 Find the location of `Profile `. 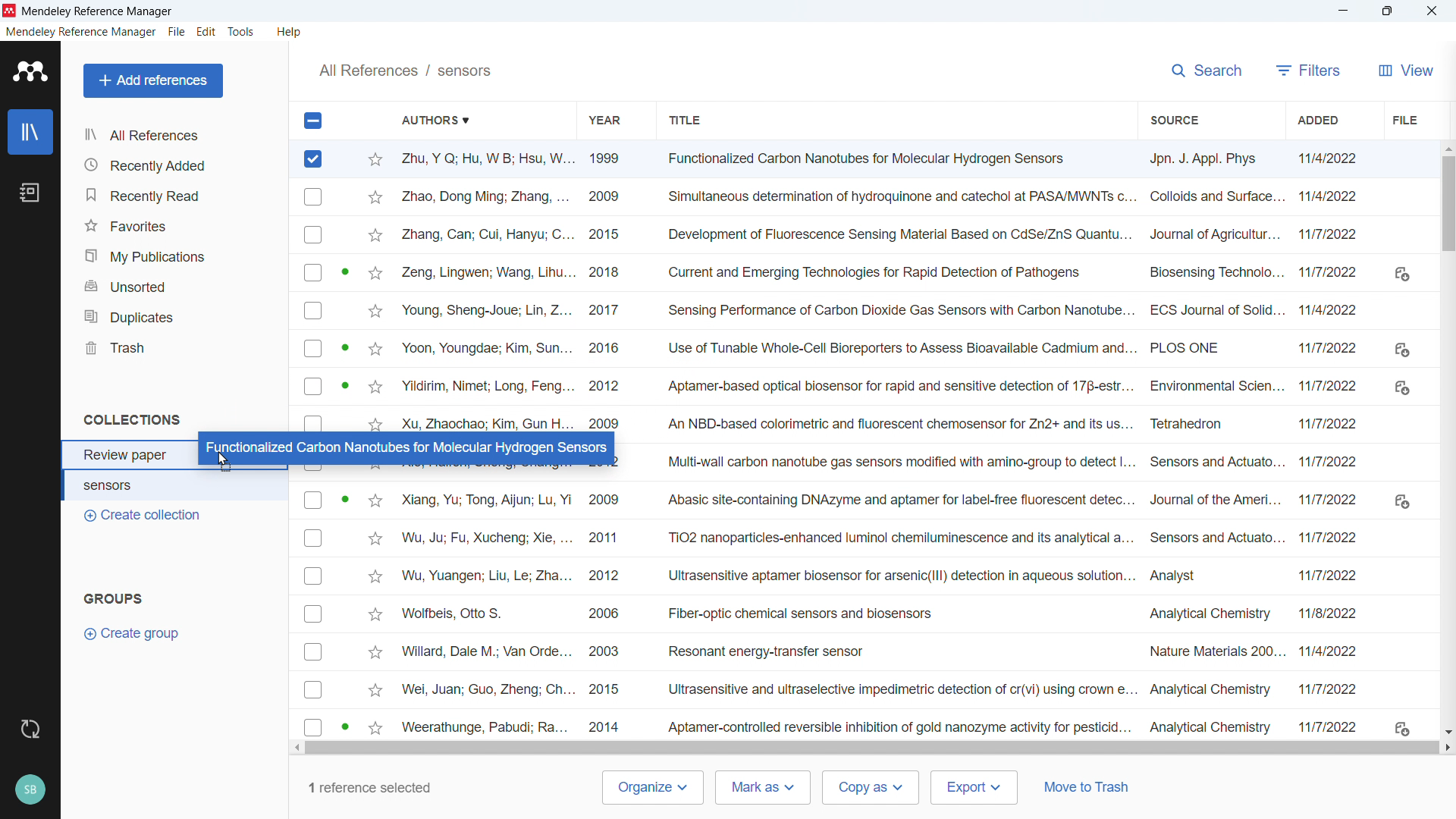

Profile  is located at coordinates (30, 791).